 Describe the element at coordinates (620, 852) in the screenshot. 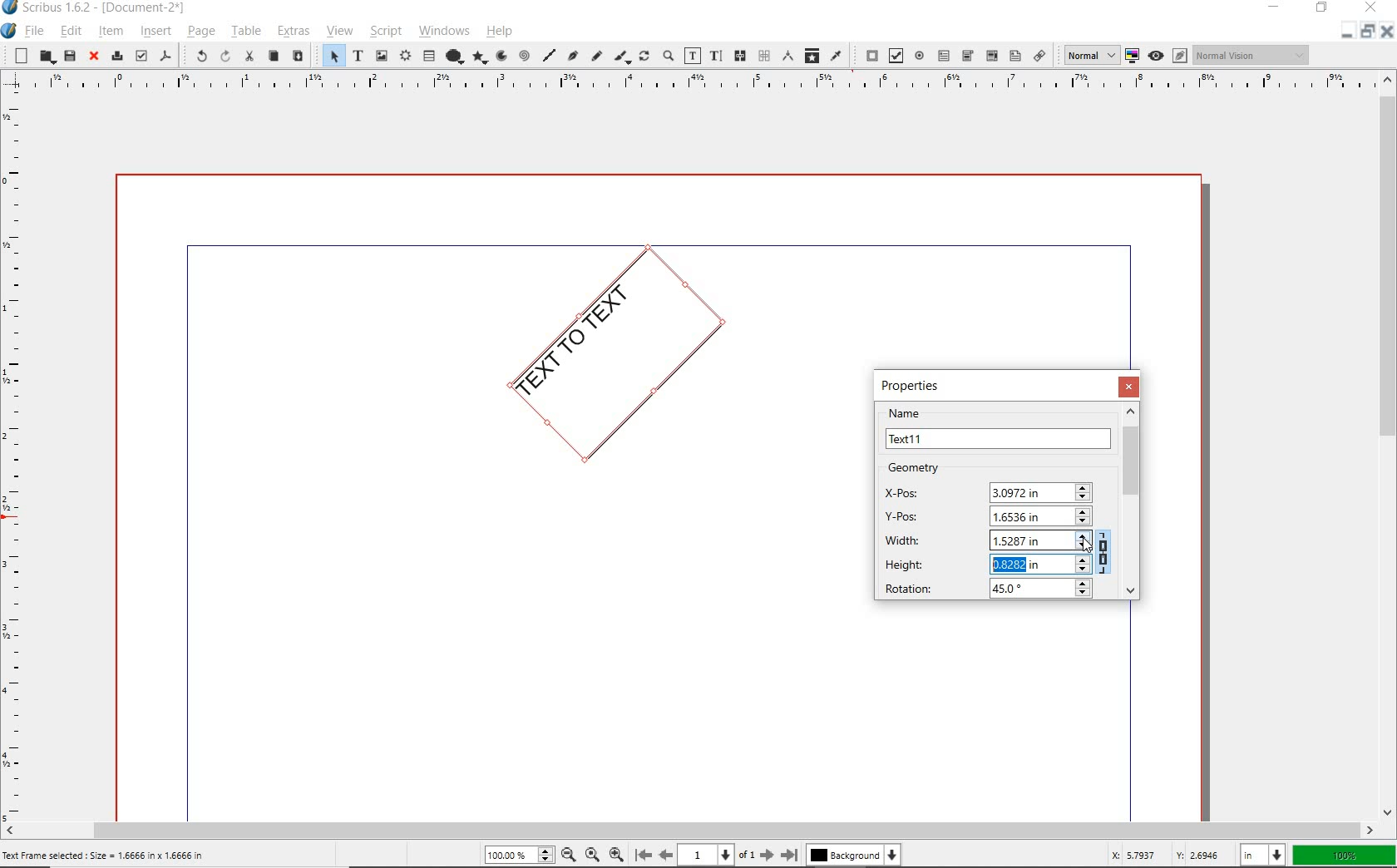

I see `zoom in` at that location.